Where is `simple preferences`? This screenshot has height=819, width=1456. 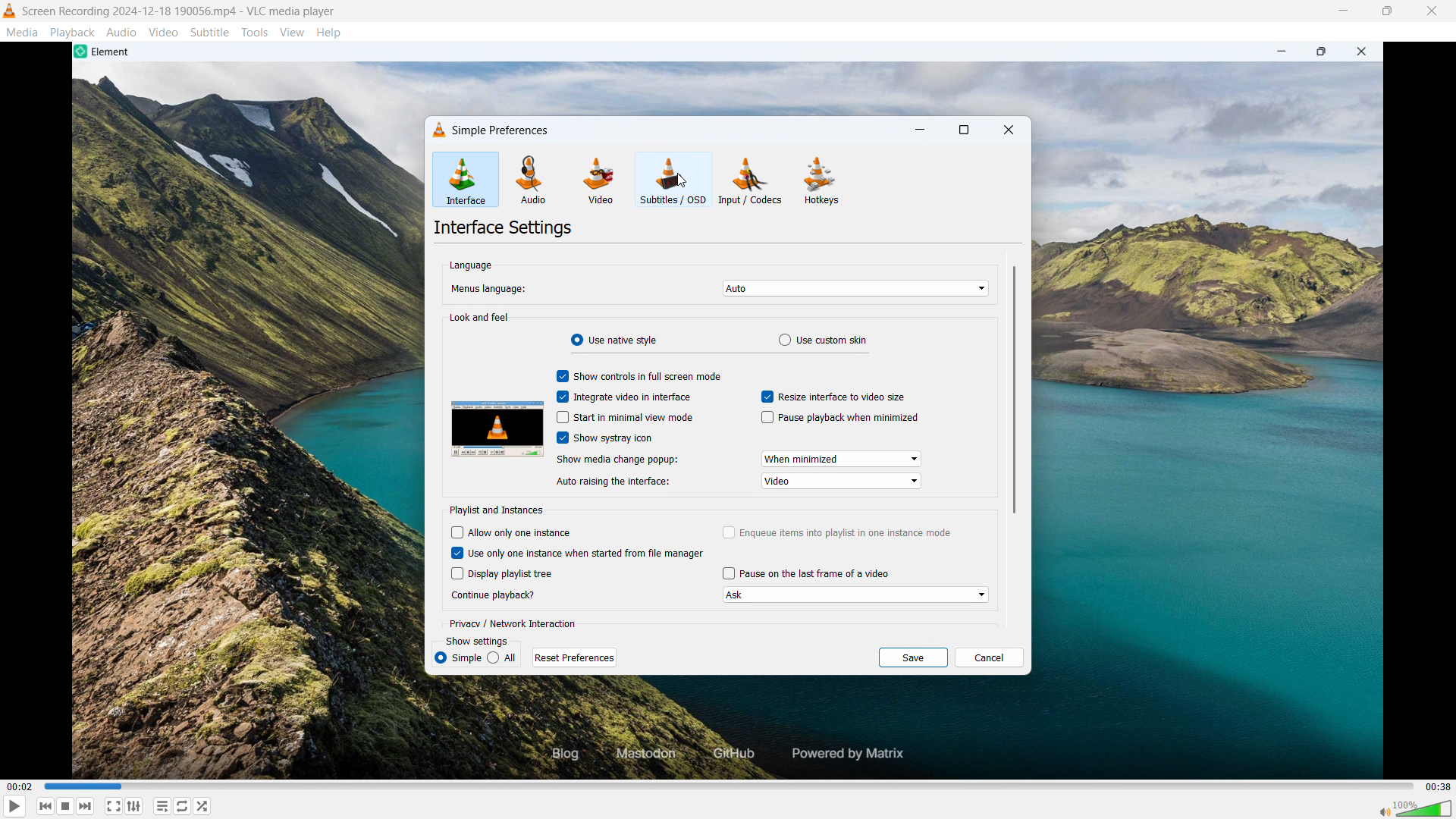 simple preferences is located at coordinates (504, 130).